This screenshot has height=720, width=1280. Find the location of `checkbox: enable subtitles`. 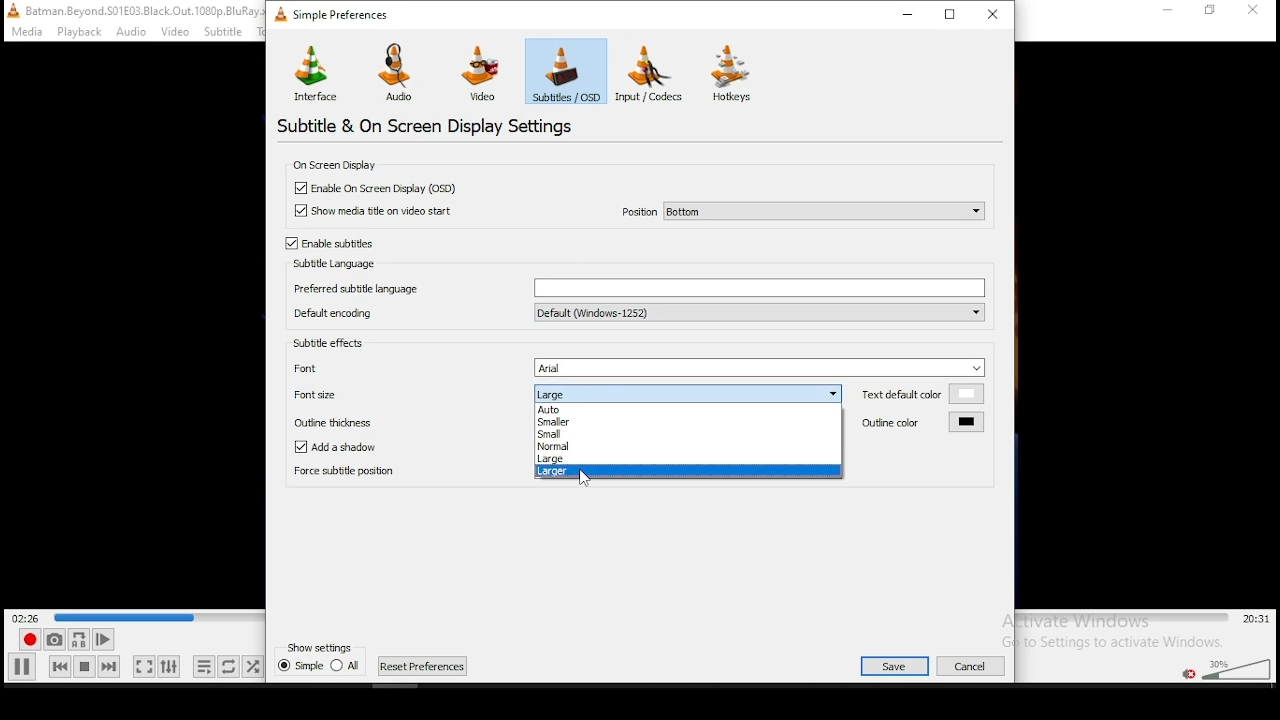

checkbox: enable subtitles is located at coordinates (332, 244).